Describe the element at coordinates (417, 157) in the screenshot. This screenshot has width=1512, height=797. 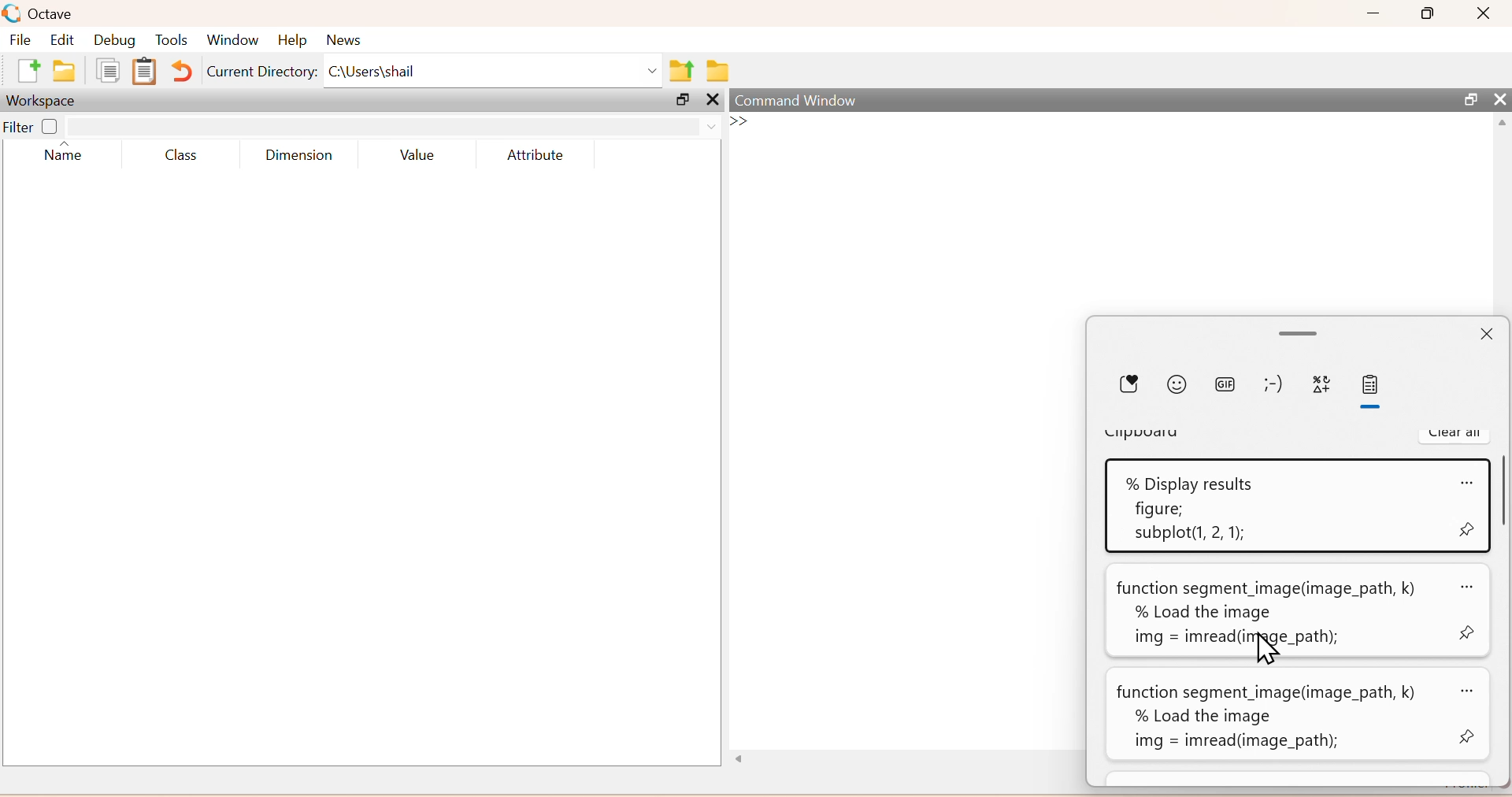
I see `Value` at that location.